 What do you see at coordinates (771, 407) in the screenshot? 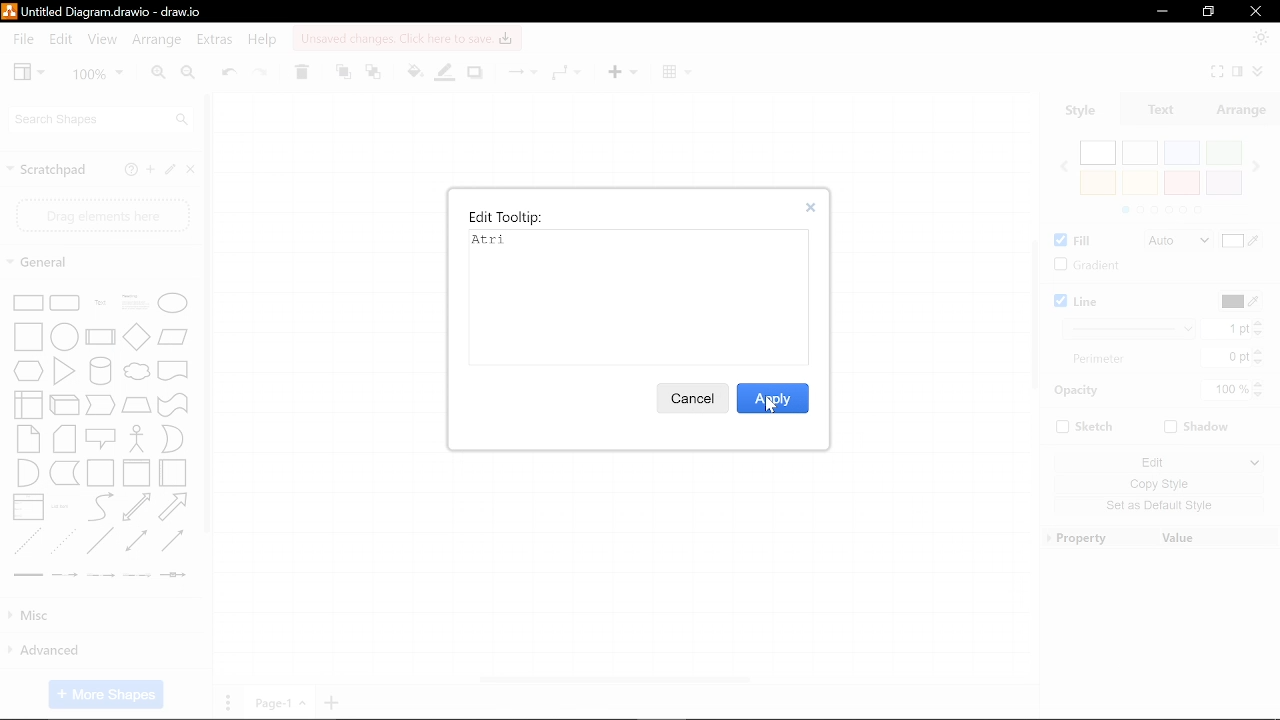
I see `cursor` at bounding box center [771, 407].